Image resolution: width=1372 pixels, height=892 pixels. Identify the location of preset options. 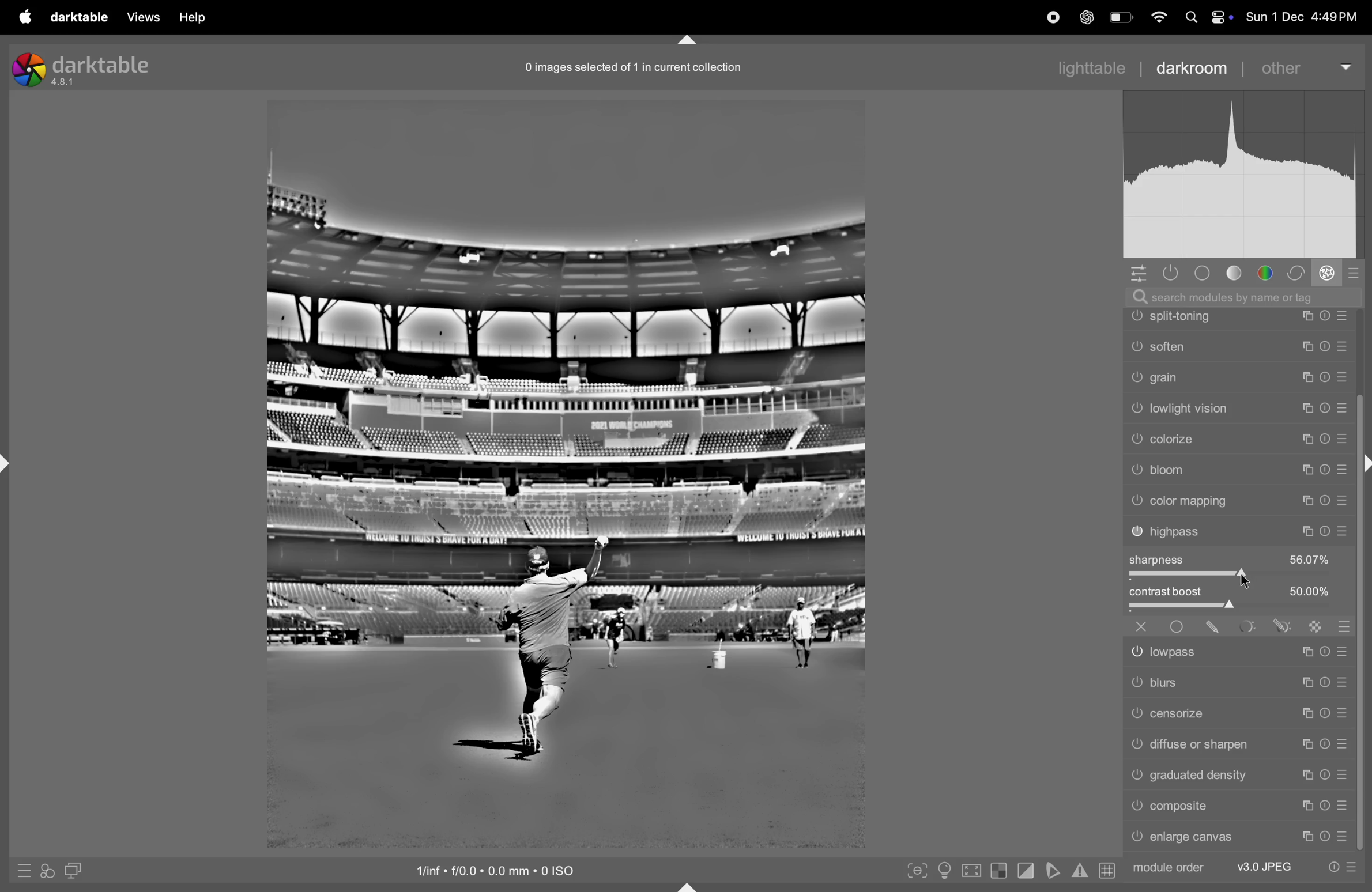
(1342, 867).